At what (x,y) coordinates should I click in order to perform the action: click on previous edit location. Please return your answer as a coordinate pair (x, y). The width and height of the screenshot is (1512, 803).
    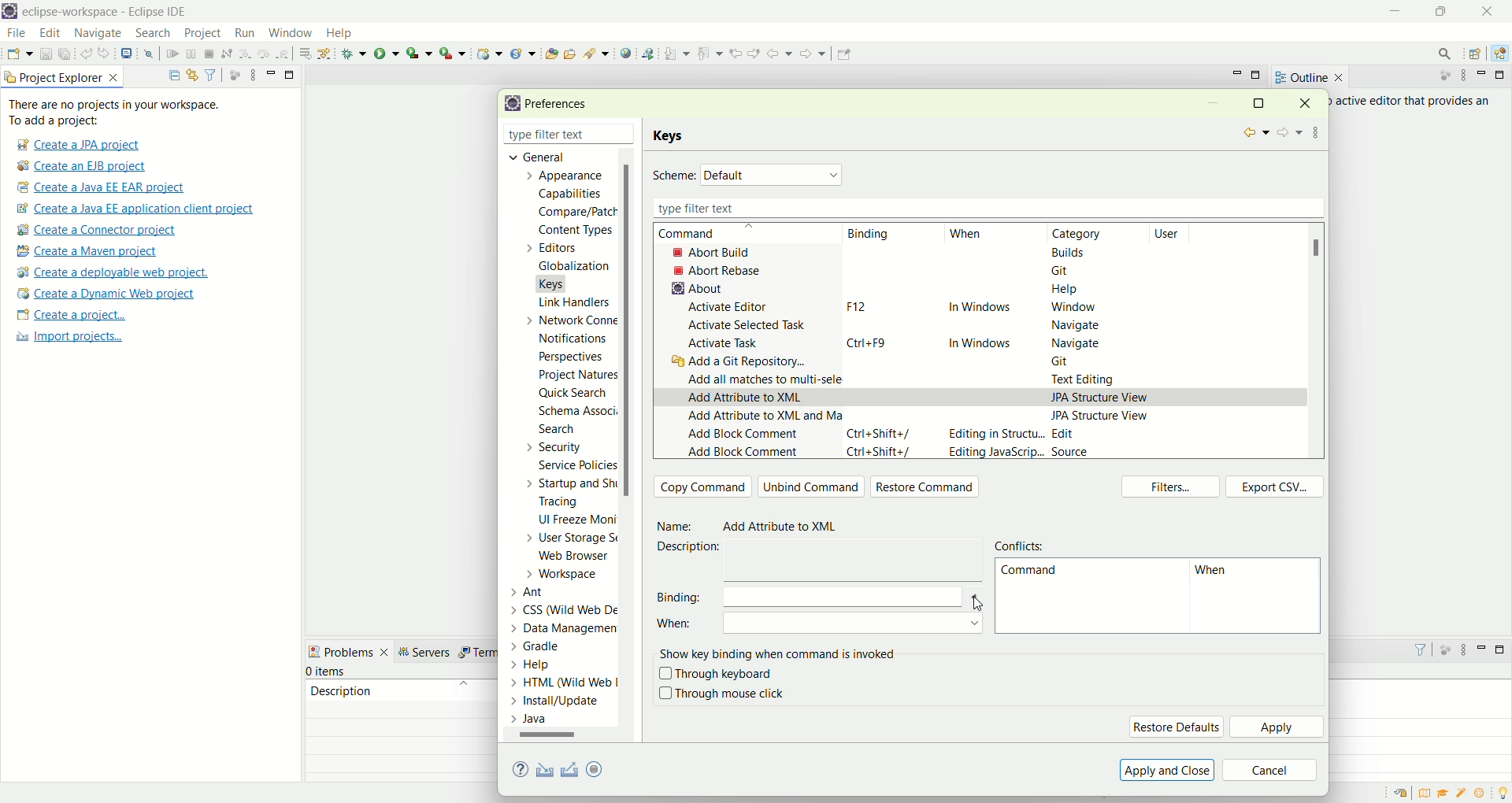
    Looking at the image, I should click on (739, 54).